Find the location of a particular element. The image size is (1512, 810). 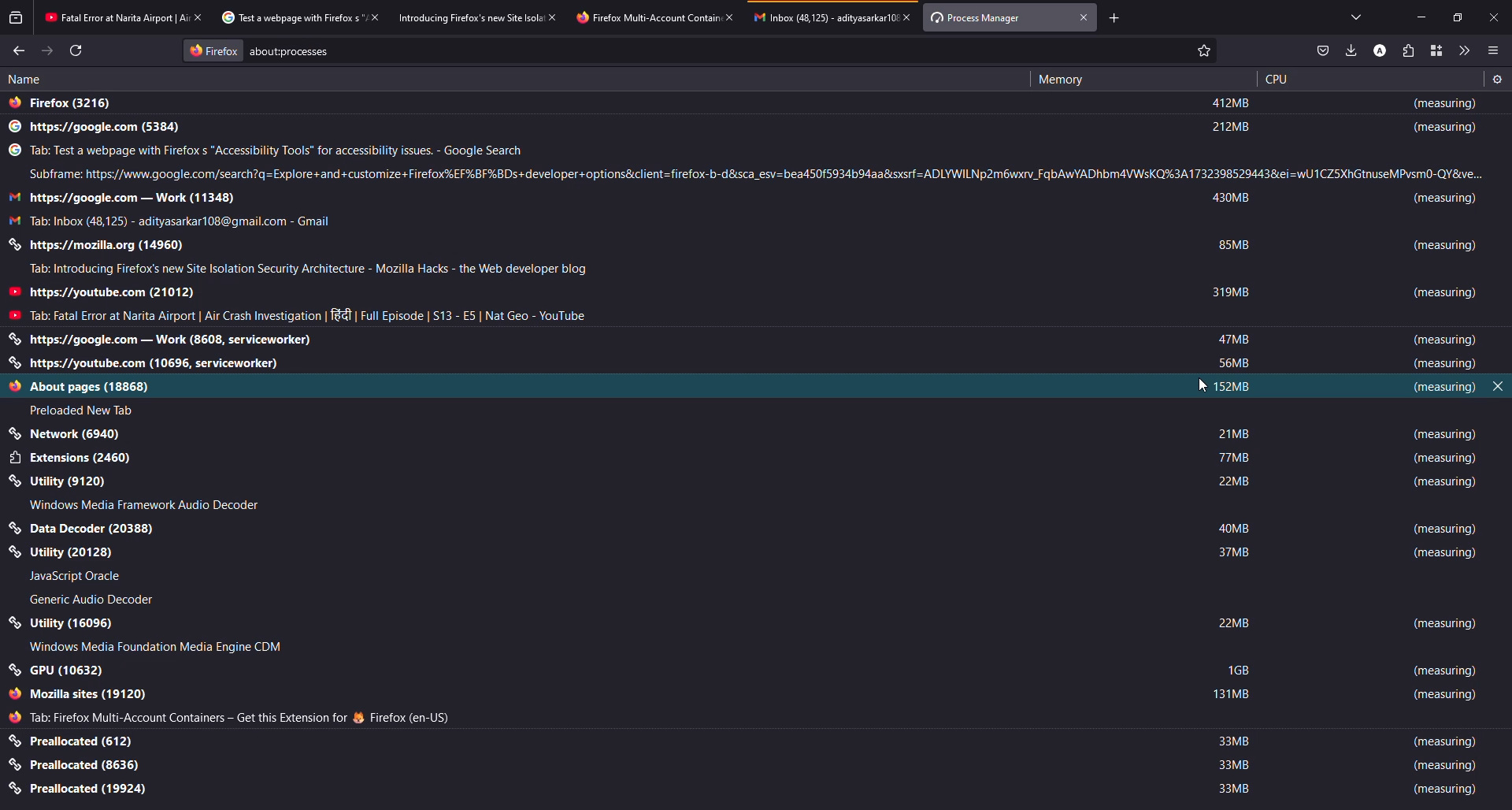

measuring is located at coordinates (1443, 243).